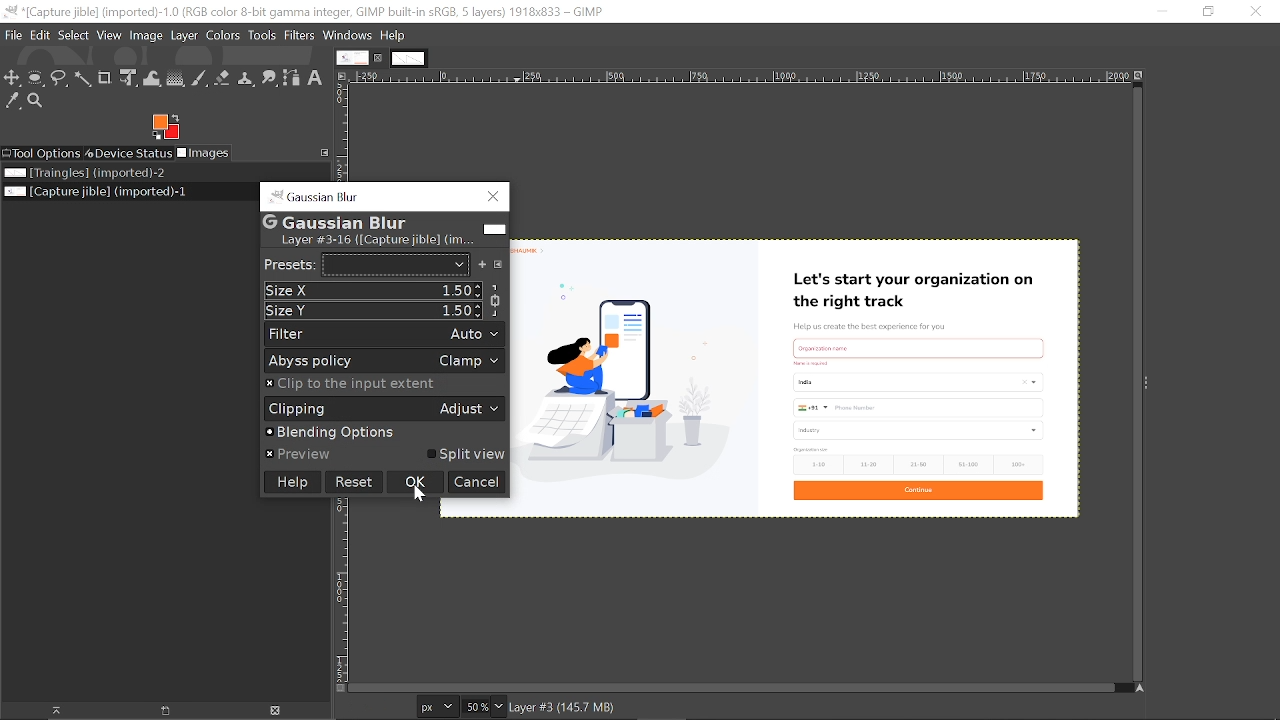 Image resolution: width=1280 pixels, height=720 pixels. Describe the element at coordinates (264, 37) in the screenshot. I see `Tools` at that location.